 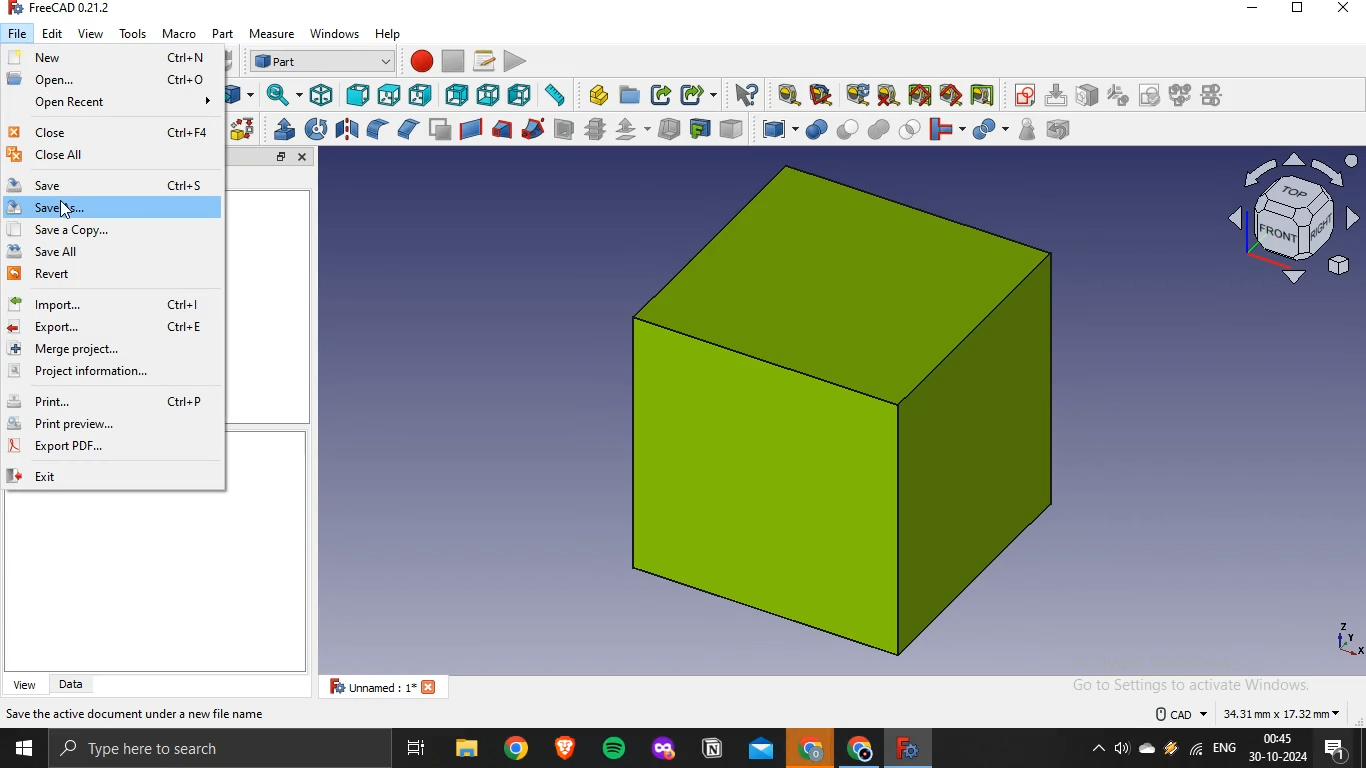 I want to click on onedrive, so click(x=1148, y=750).